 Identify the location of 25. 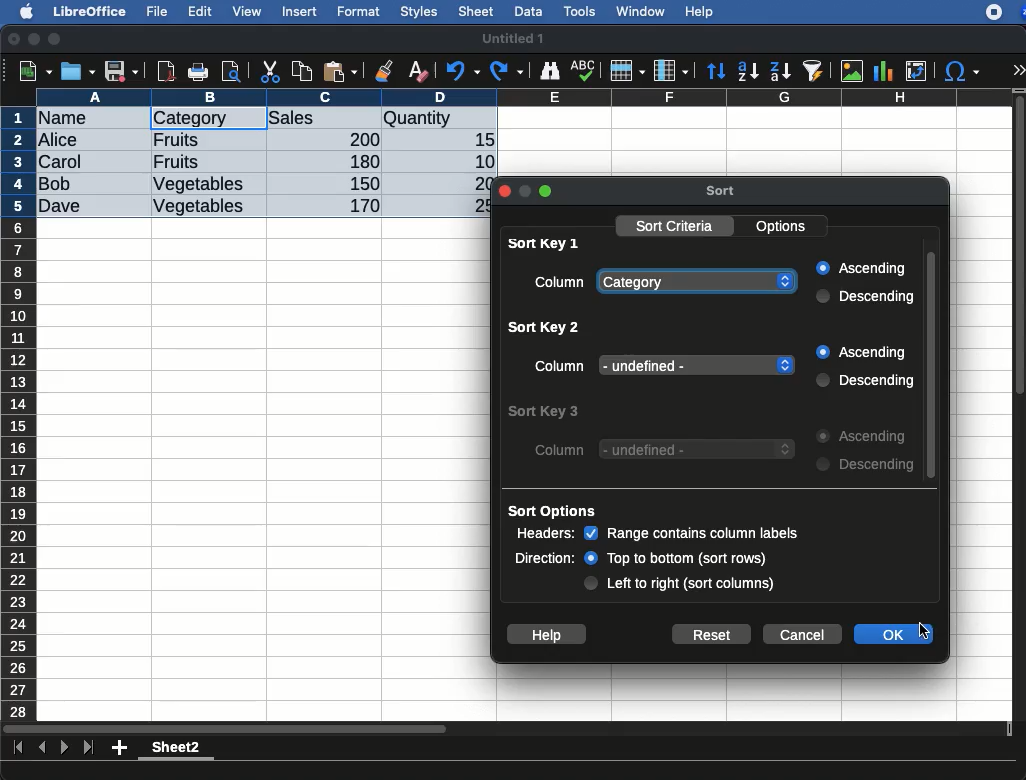
(473, 204).